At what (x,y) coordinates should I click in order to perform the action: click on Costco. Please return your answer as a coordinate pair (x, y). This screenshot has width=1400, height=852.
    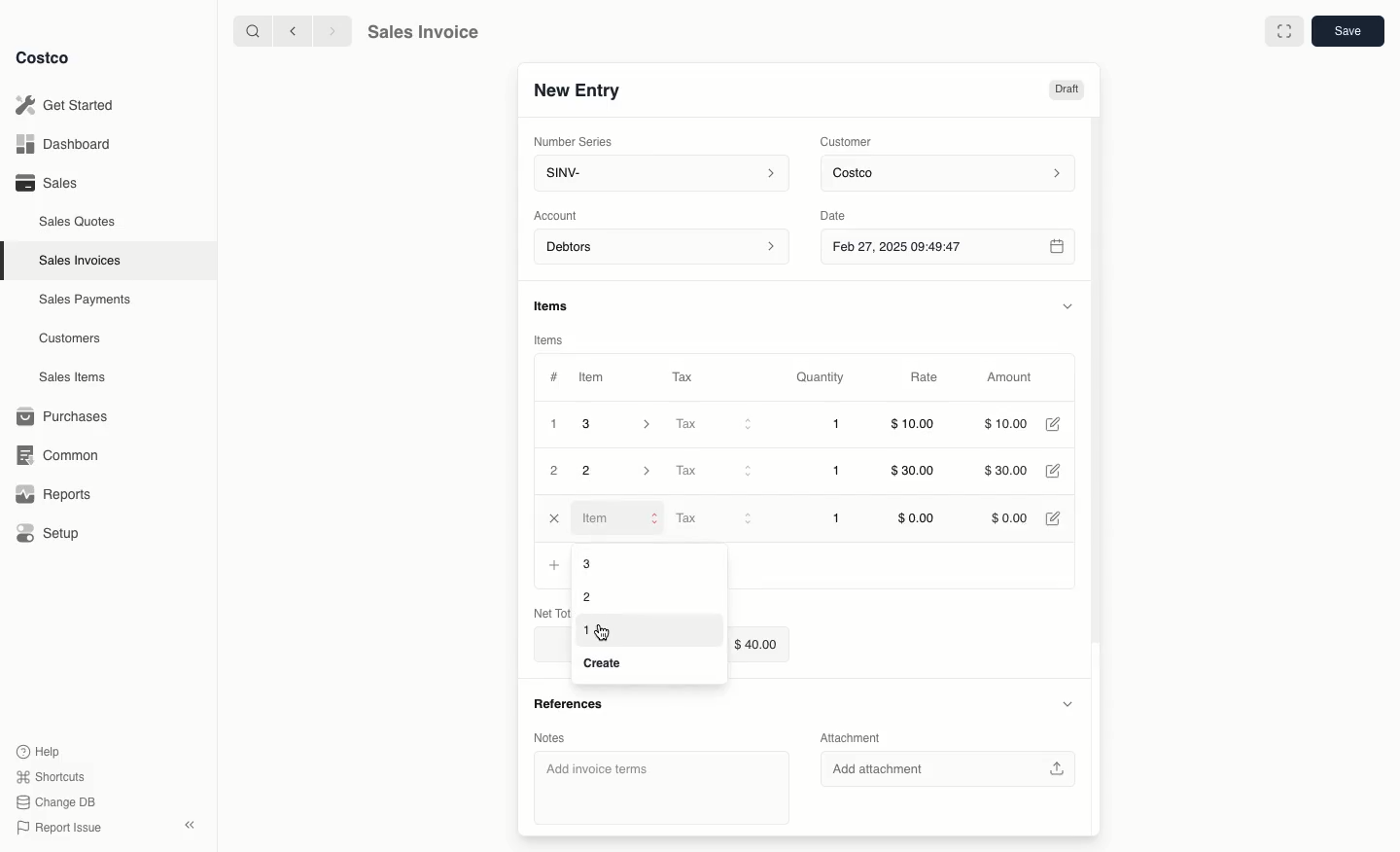
    Looking at the image, I should click on (44, 58).